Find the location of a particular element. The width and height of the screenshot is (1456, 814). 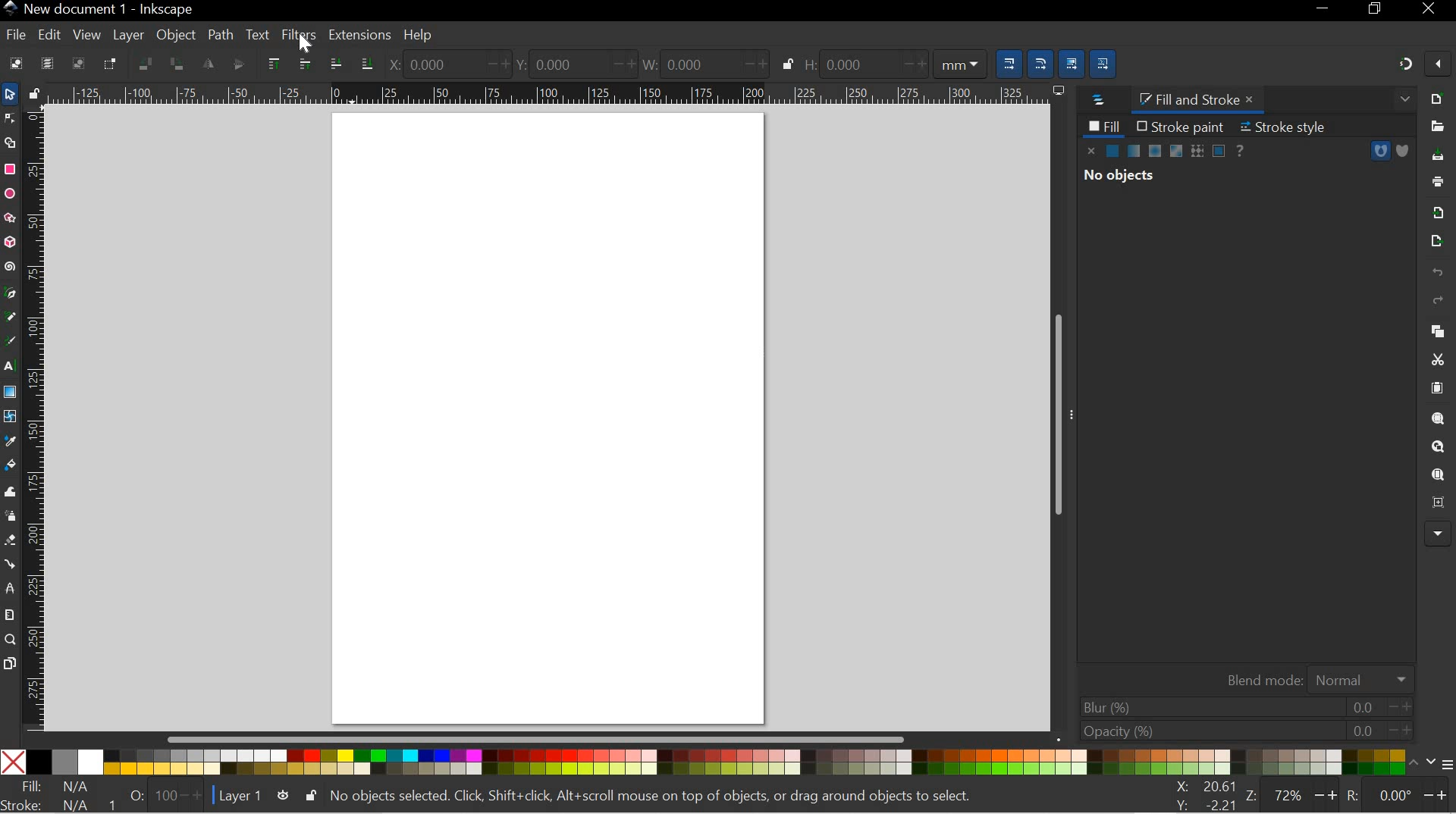

PRINT is located at coordinates (1441, 180).